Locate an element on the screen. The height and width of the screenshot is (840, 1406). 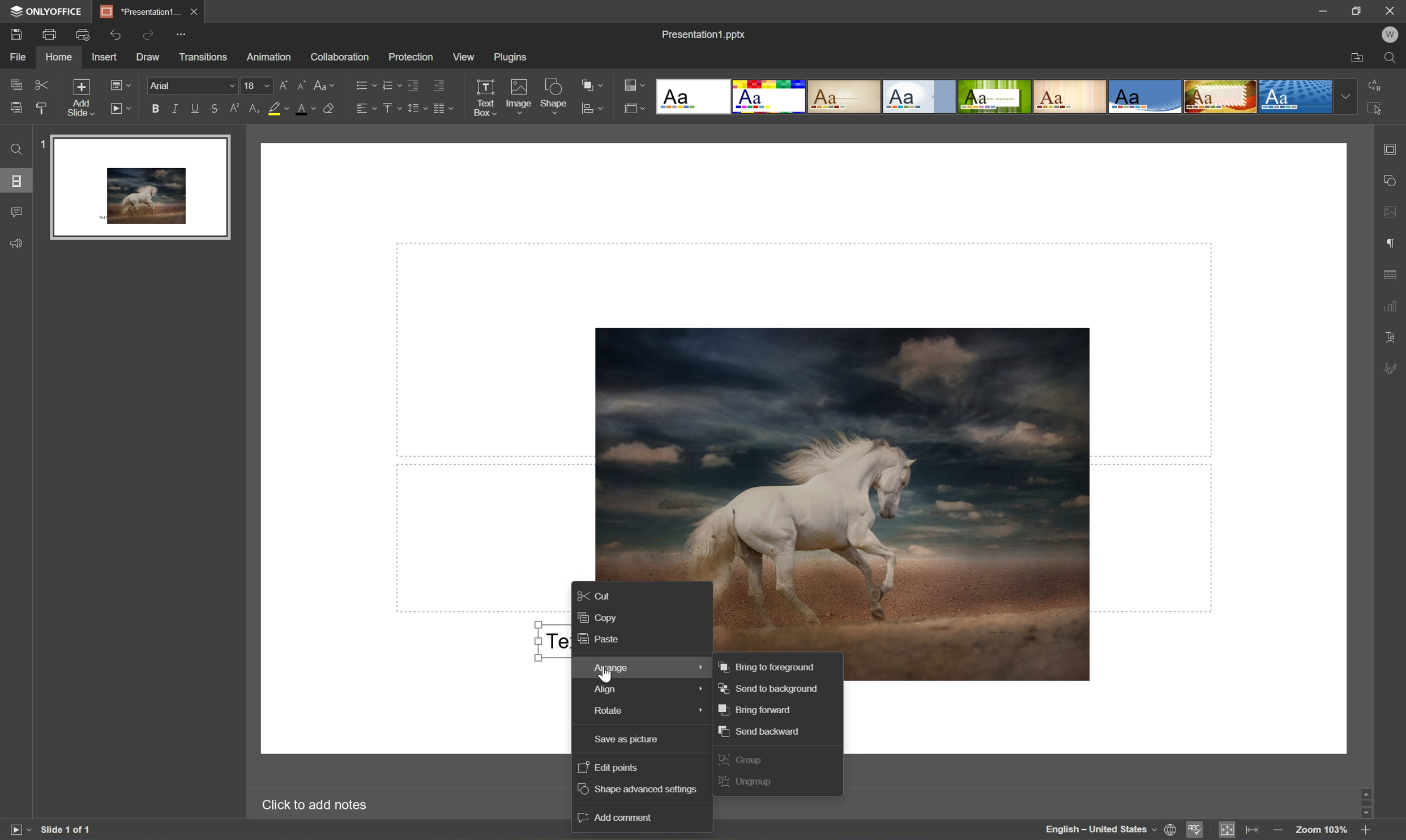
Text Box is located at coordinates (484, 97).